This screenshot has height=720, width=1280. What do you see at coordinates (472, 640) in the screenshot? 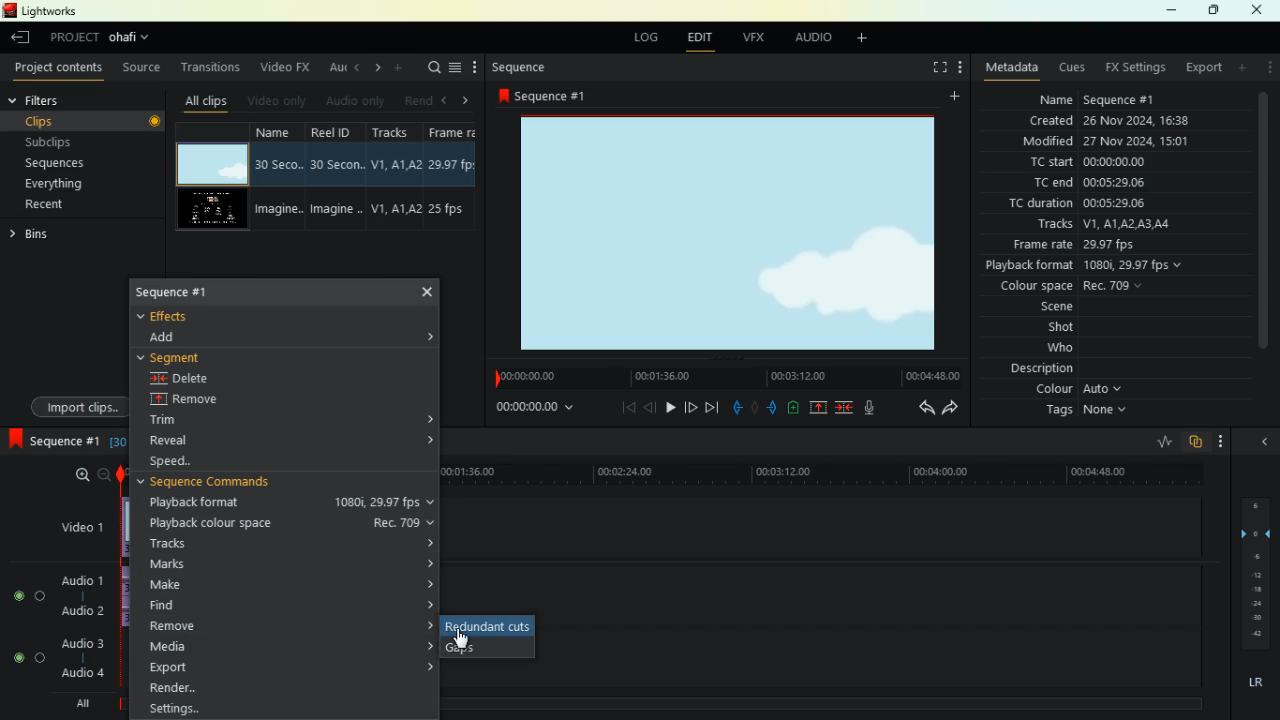
I see `Mouse Cursor` at bounding box center [472, 640].